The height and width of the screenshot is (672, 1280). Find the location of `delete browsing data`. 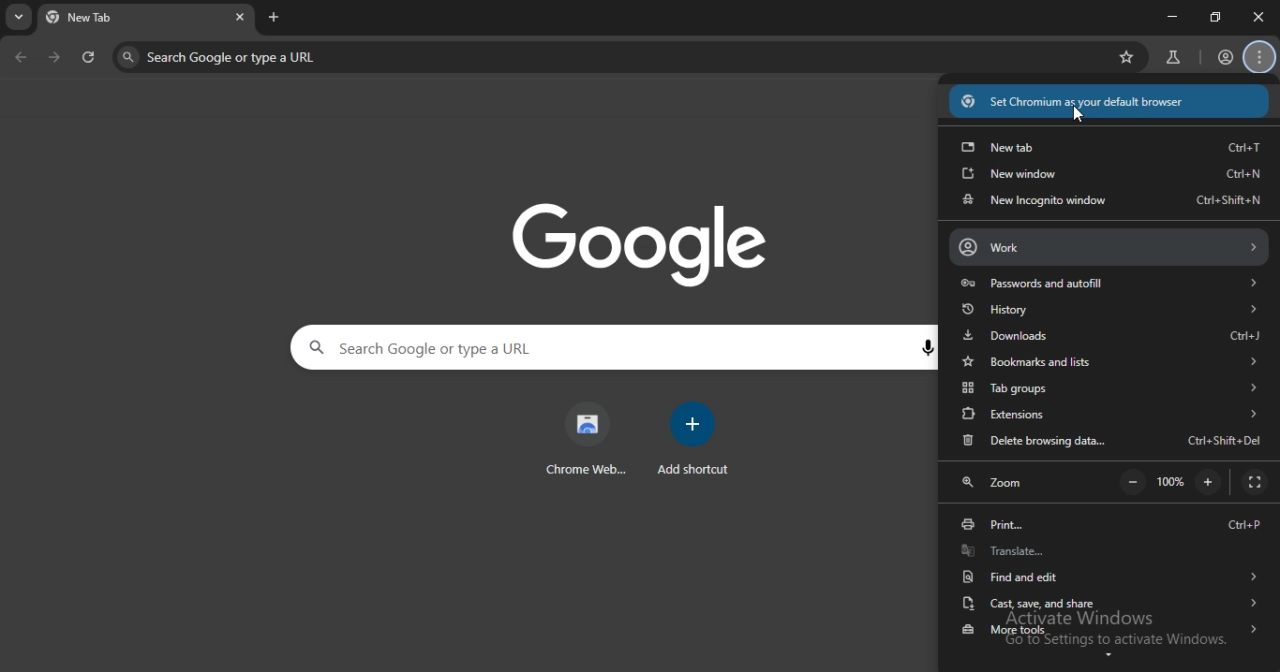

delete browsing data is located at coordinates (1111, 444).